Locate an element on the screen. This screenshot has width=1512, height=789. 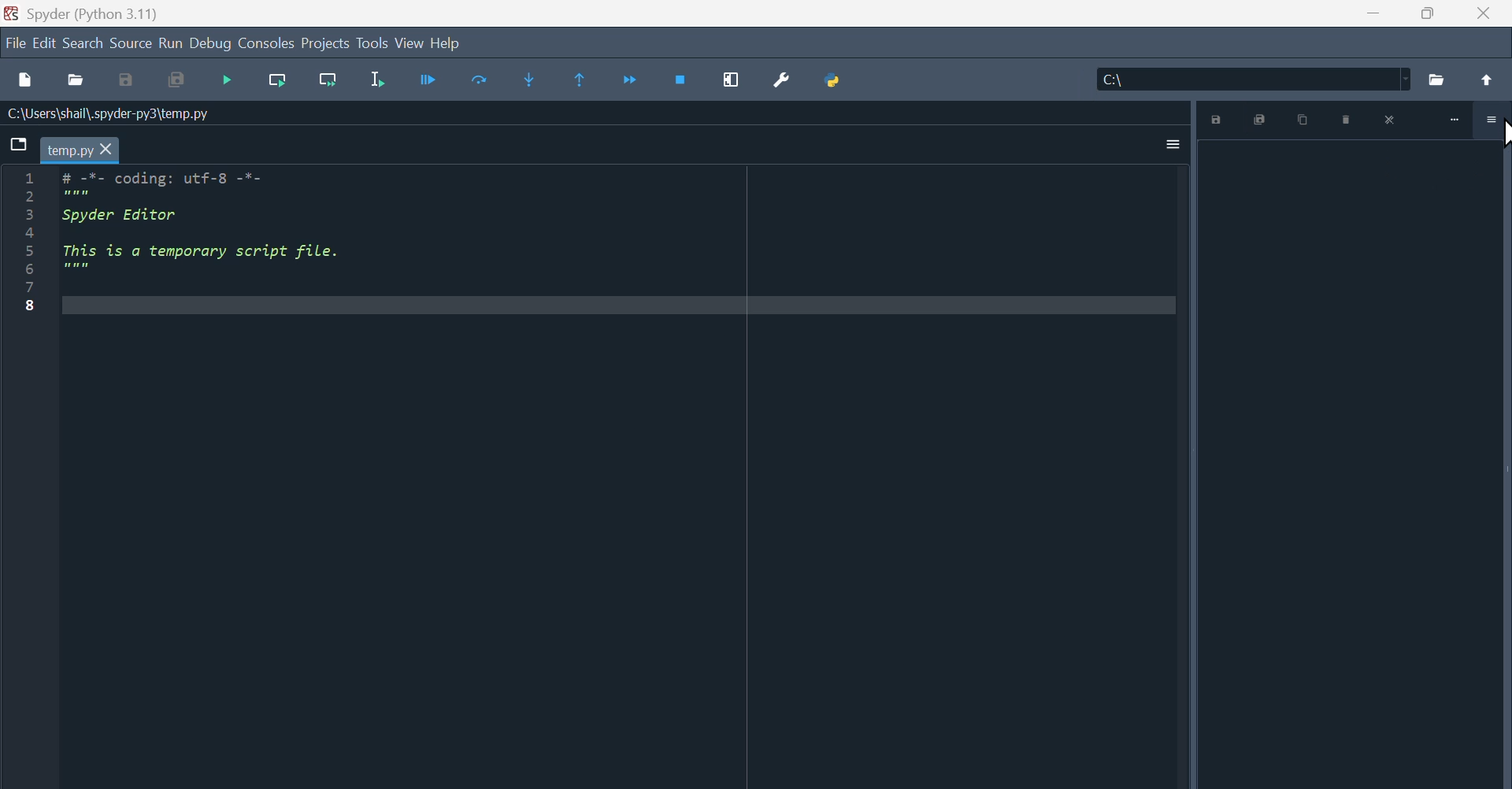
run Current Cell is located at coordinates (426, 78).